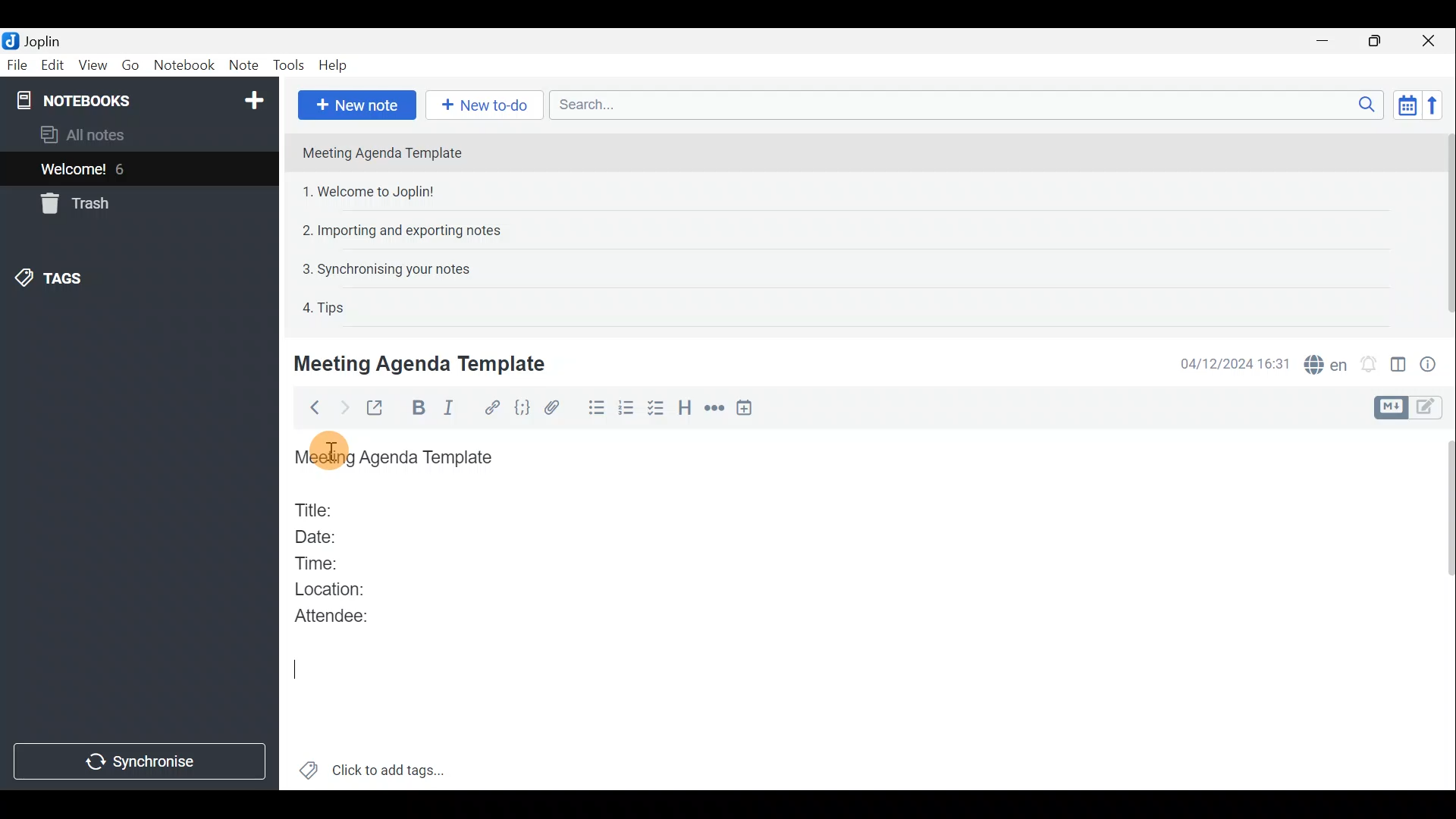 The image size is (1456, 819). Describe the element at coordinates (559, 408) in the screenshot. I see `Attach file` at that location.